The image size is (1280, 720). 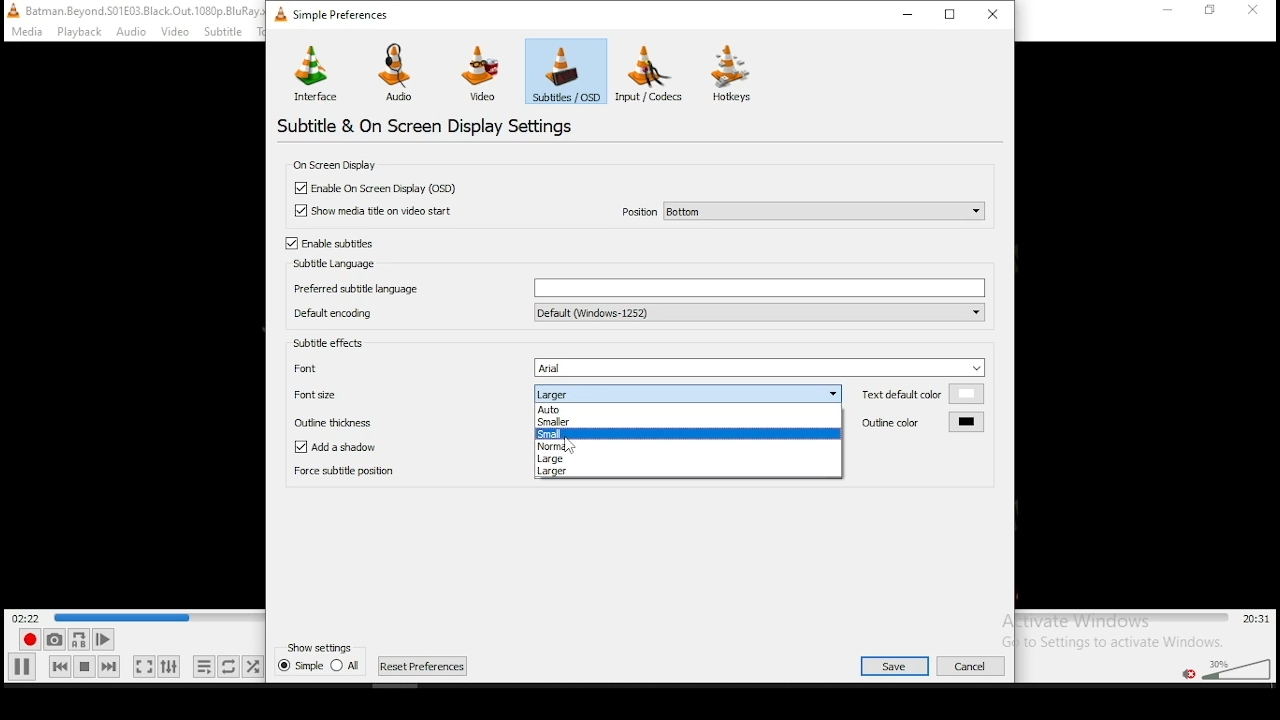 I want to click on remaining/total time, so click(x=1257, y=619).